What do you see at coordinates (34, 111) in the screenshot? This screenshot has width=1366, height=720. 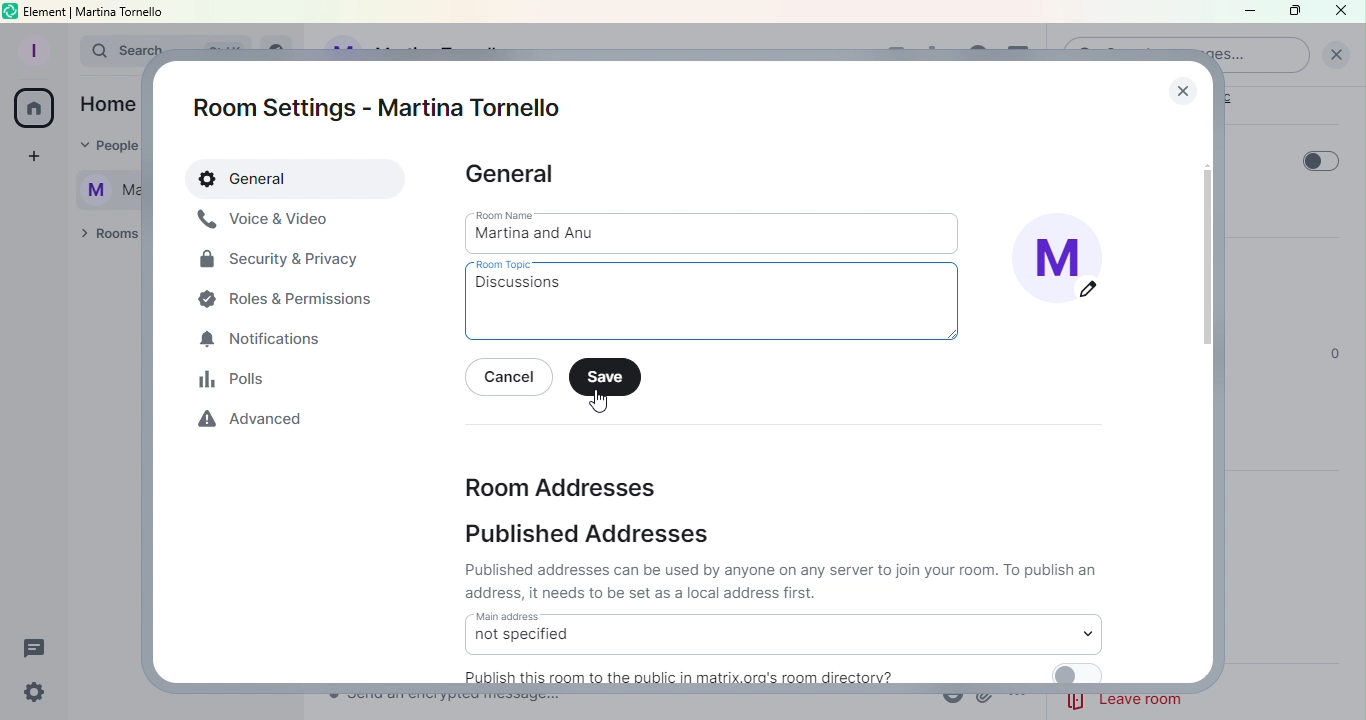 I see `Home` at bounding box center [34, 111].